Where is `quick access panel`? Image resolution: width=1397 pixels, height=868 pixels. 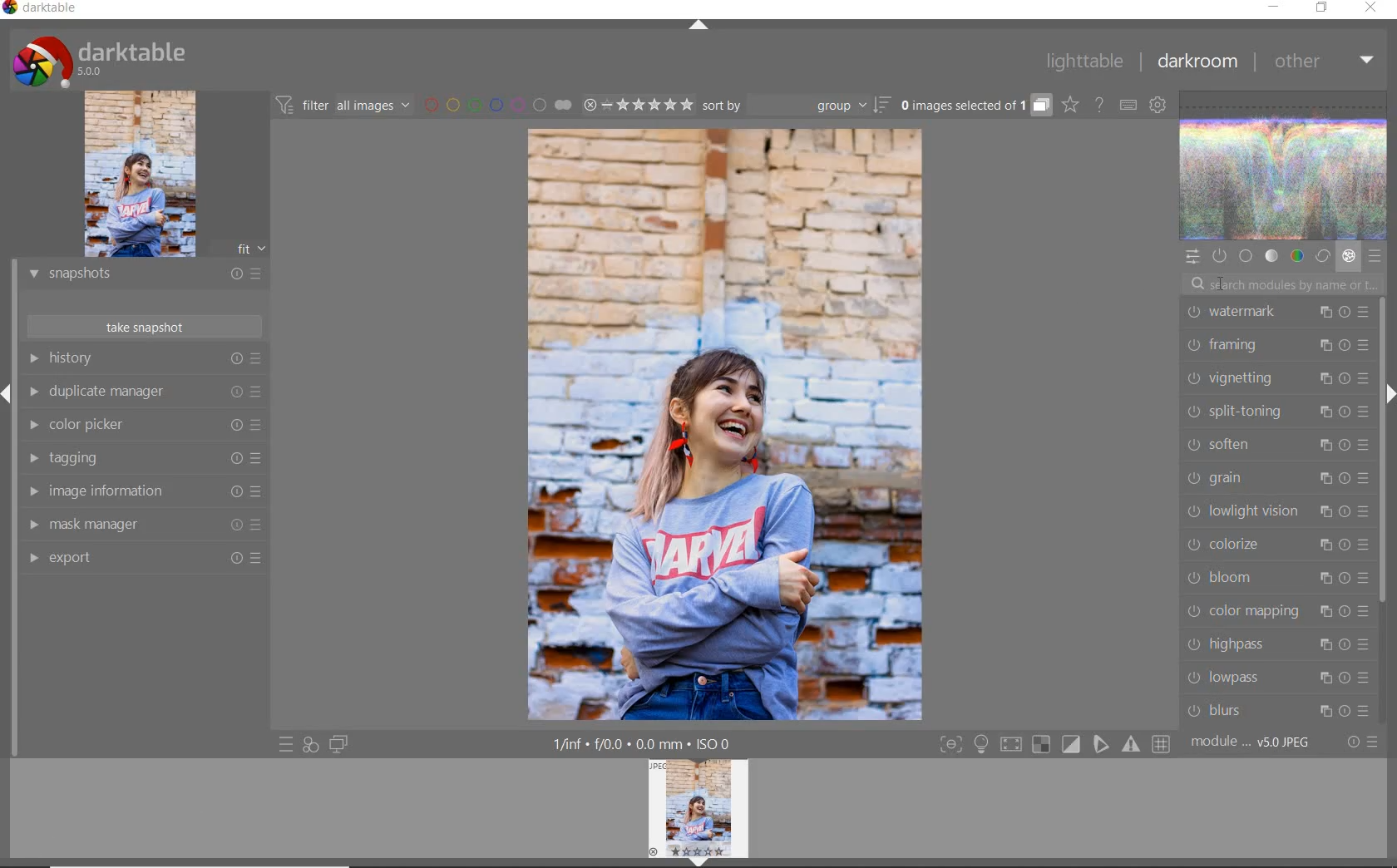
quick access panel is located at coordinates (1194, 254).